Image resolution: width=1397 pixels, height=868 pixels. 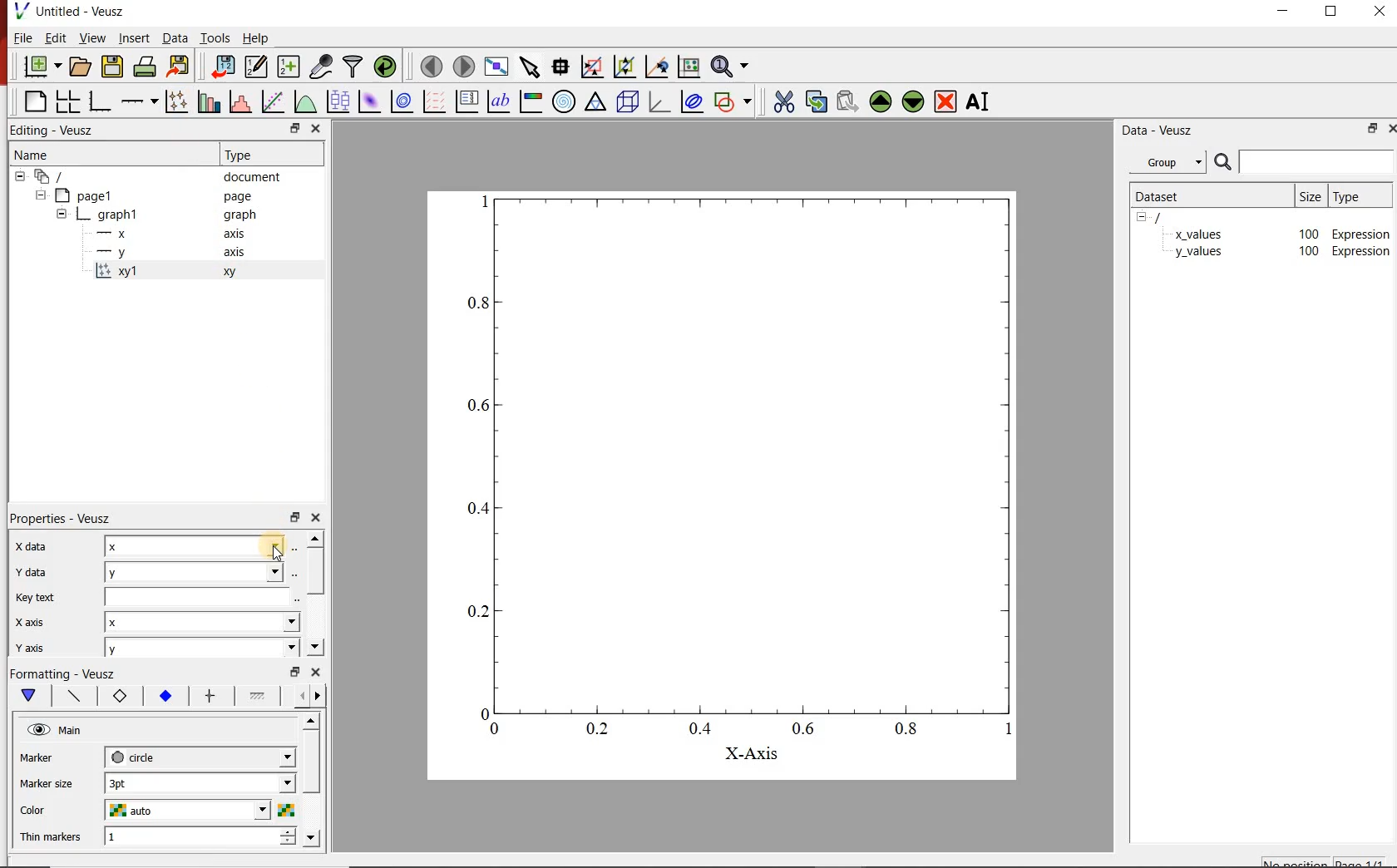 I want to click on plot key, so click(x=468, y=101).